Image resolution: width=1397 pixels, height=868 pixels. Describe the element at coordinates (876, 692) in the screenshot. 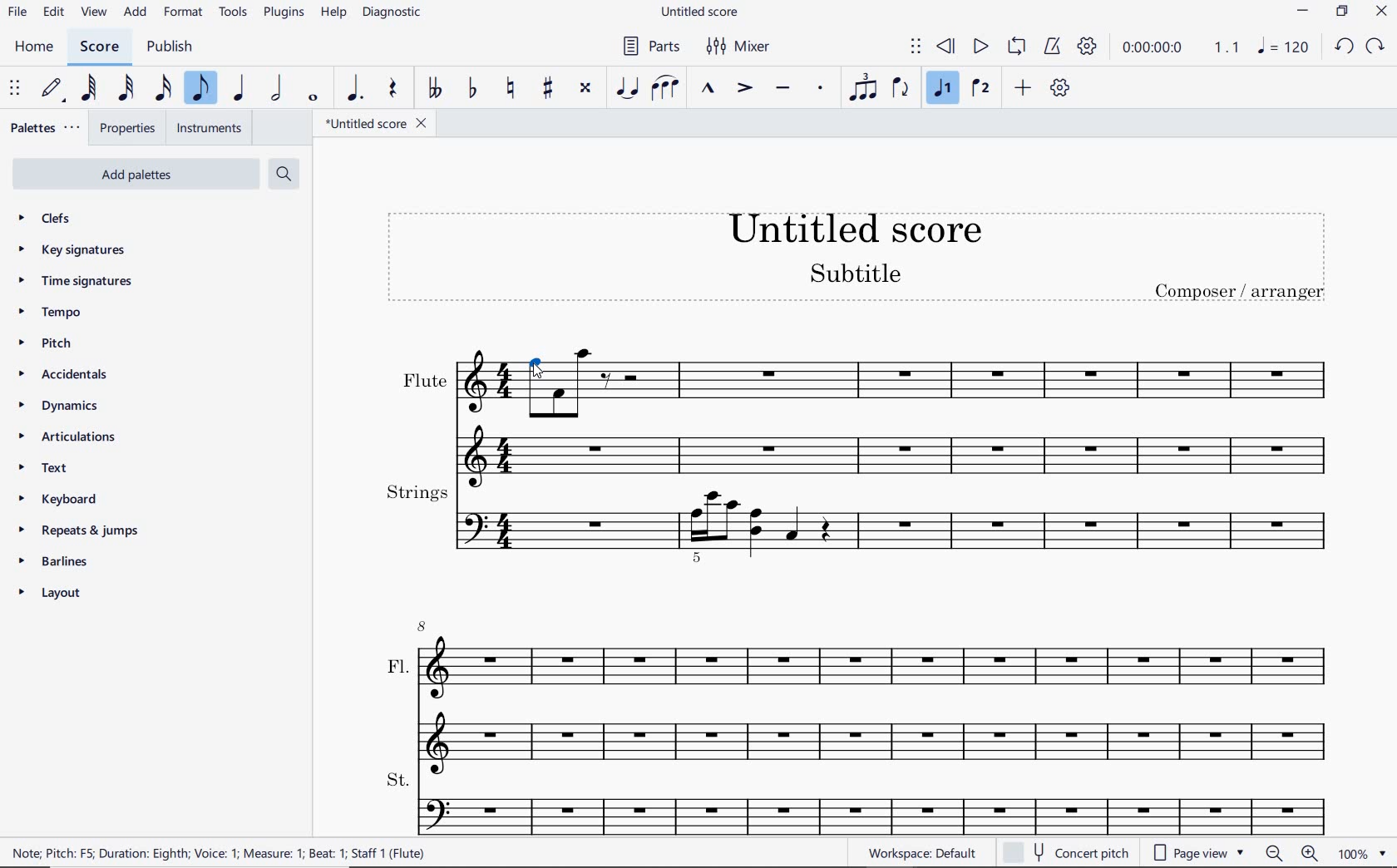

I see `fl.` at that location.